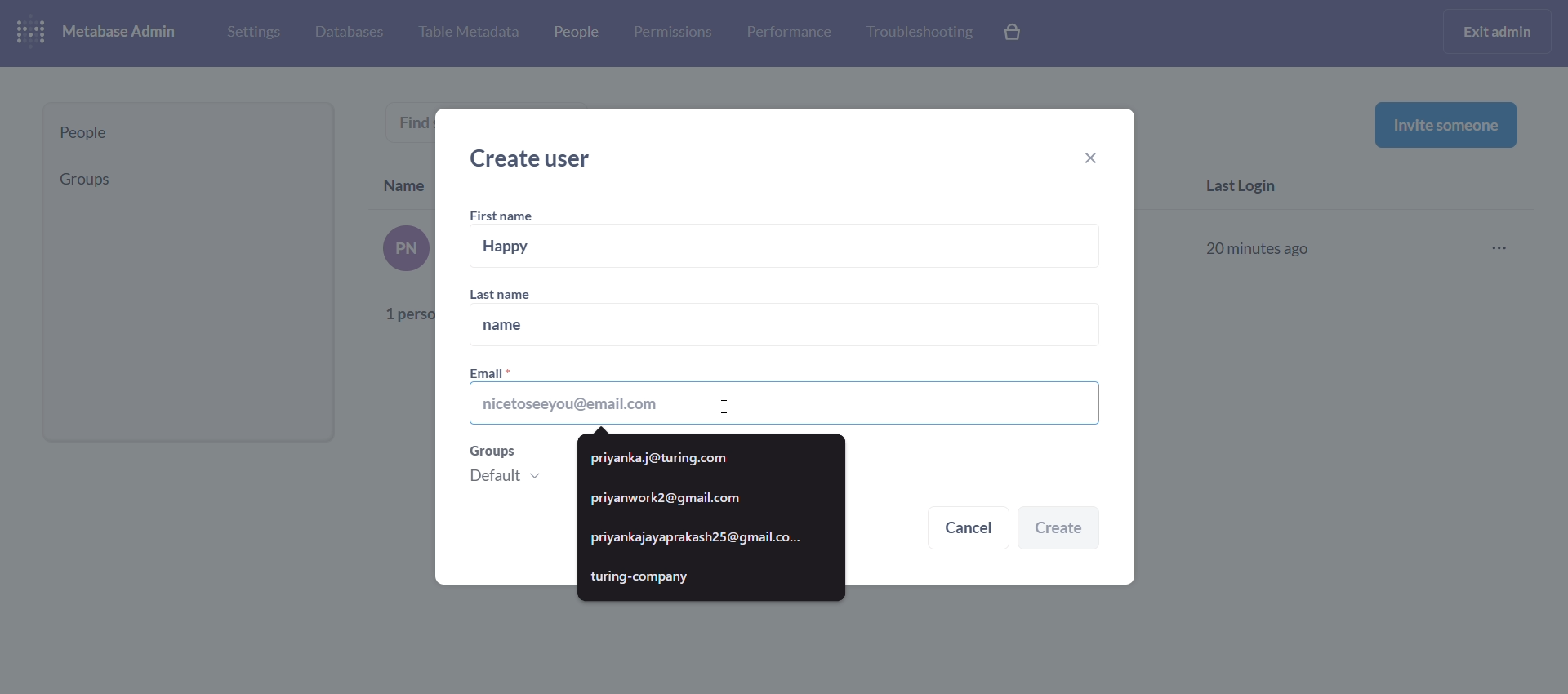 The image size is (1568, 694). I want to click on cancel, so click(969, 530).